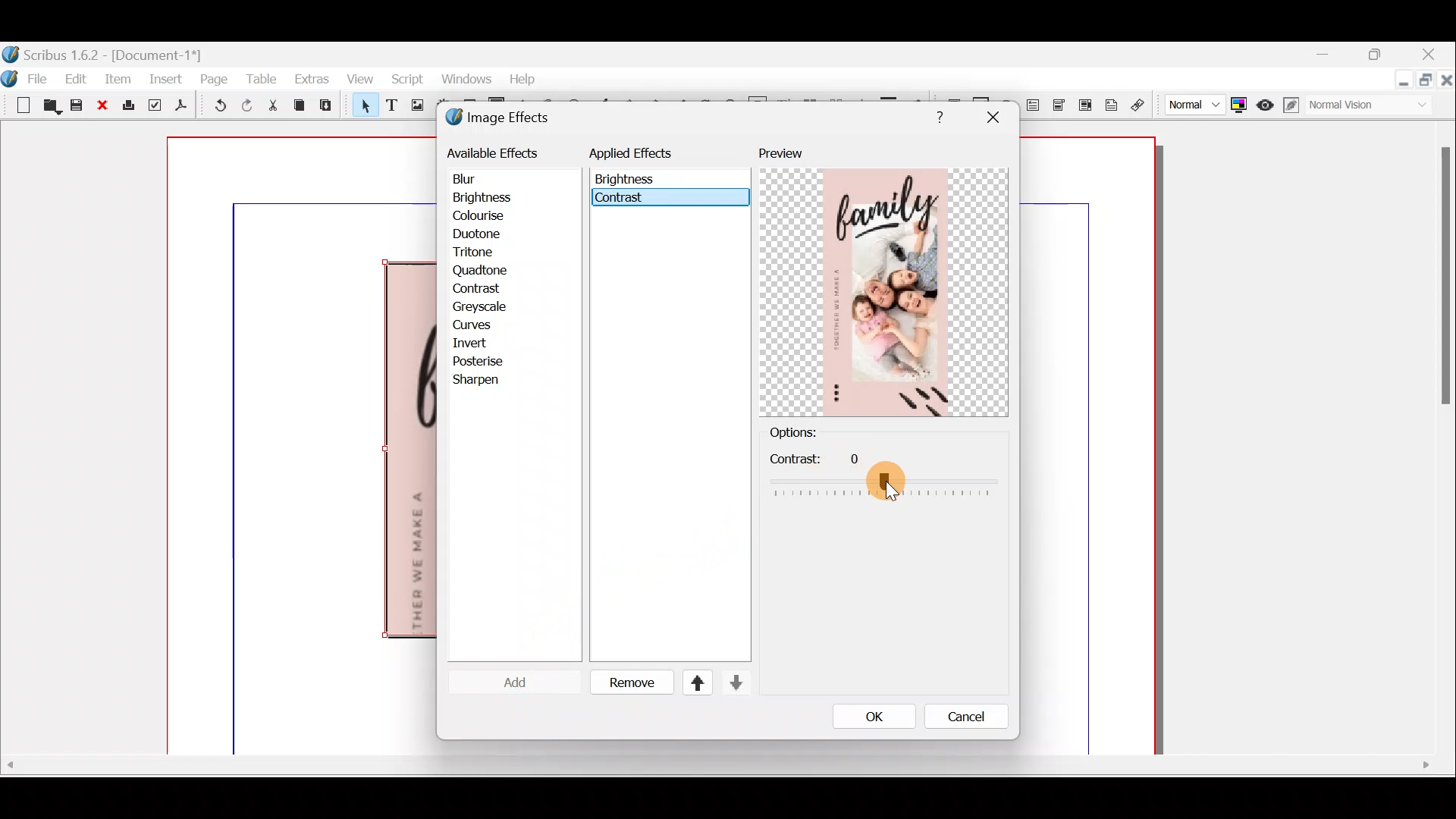 This screenshot has width=1456, height=819. I want to click on Item, so click(118, 78).